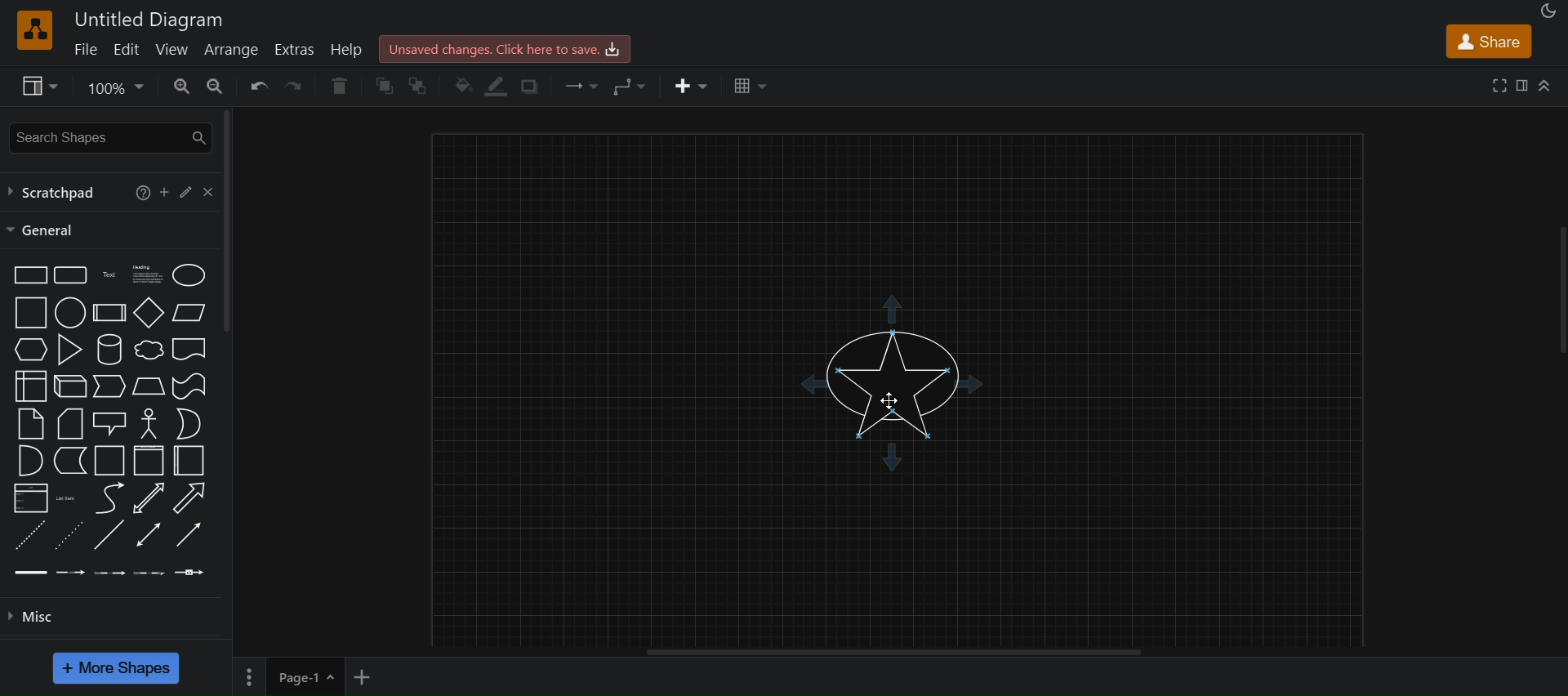  I want to click on delete, so click(341, 86).